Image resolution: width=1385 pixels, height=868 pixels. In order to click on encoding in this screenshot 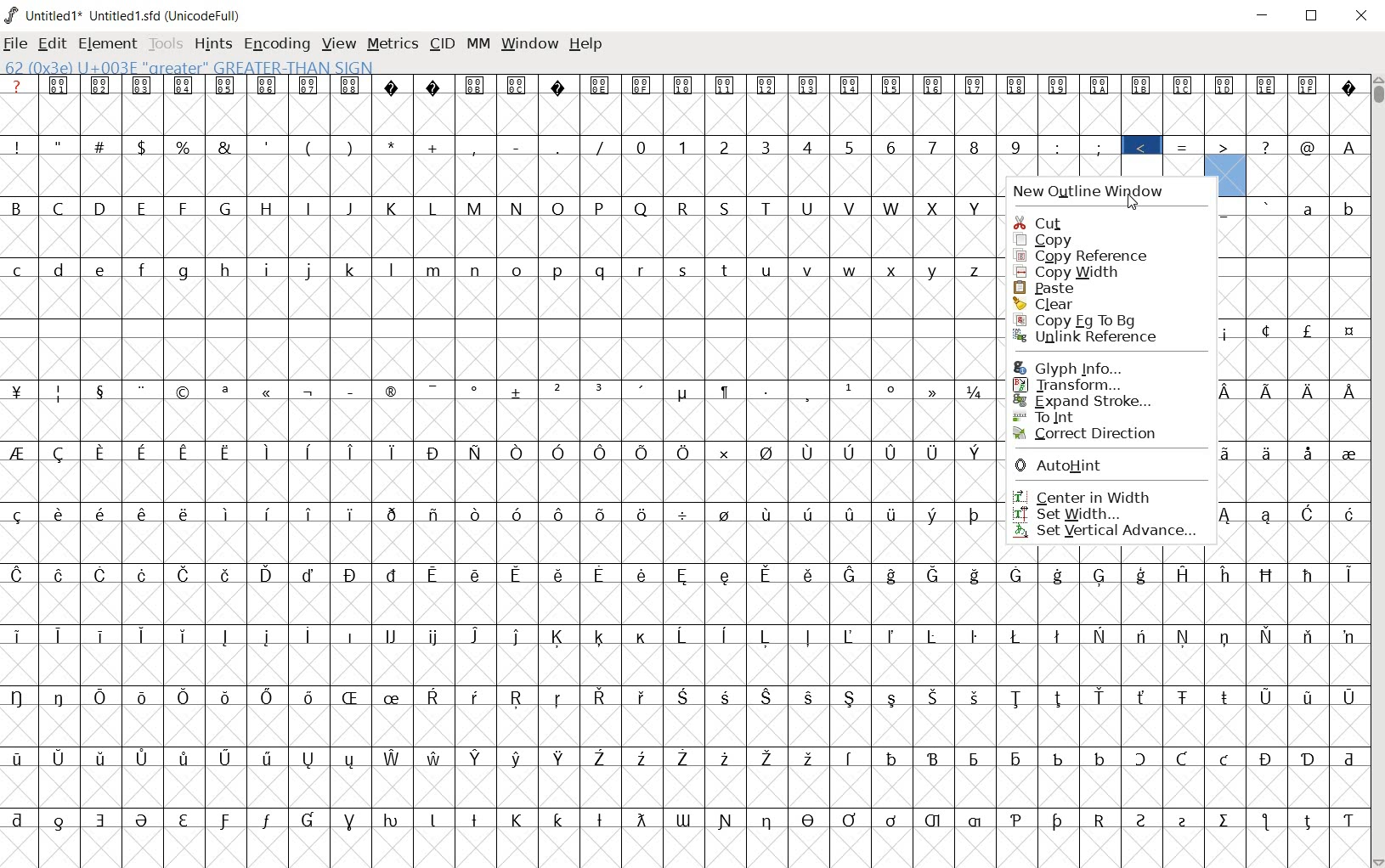, I will do `click(275, 44)`.